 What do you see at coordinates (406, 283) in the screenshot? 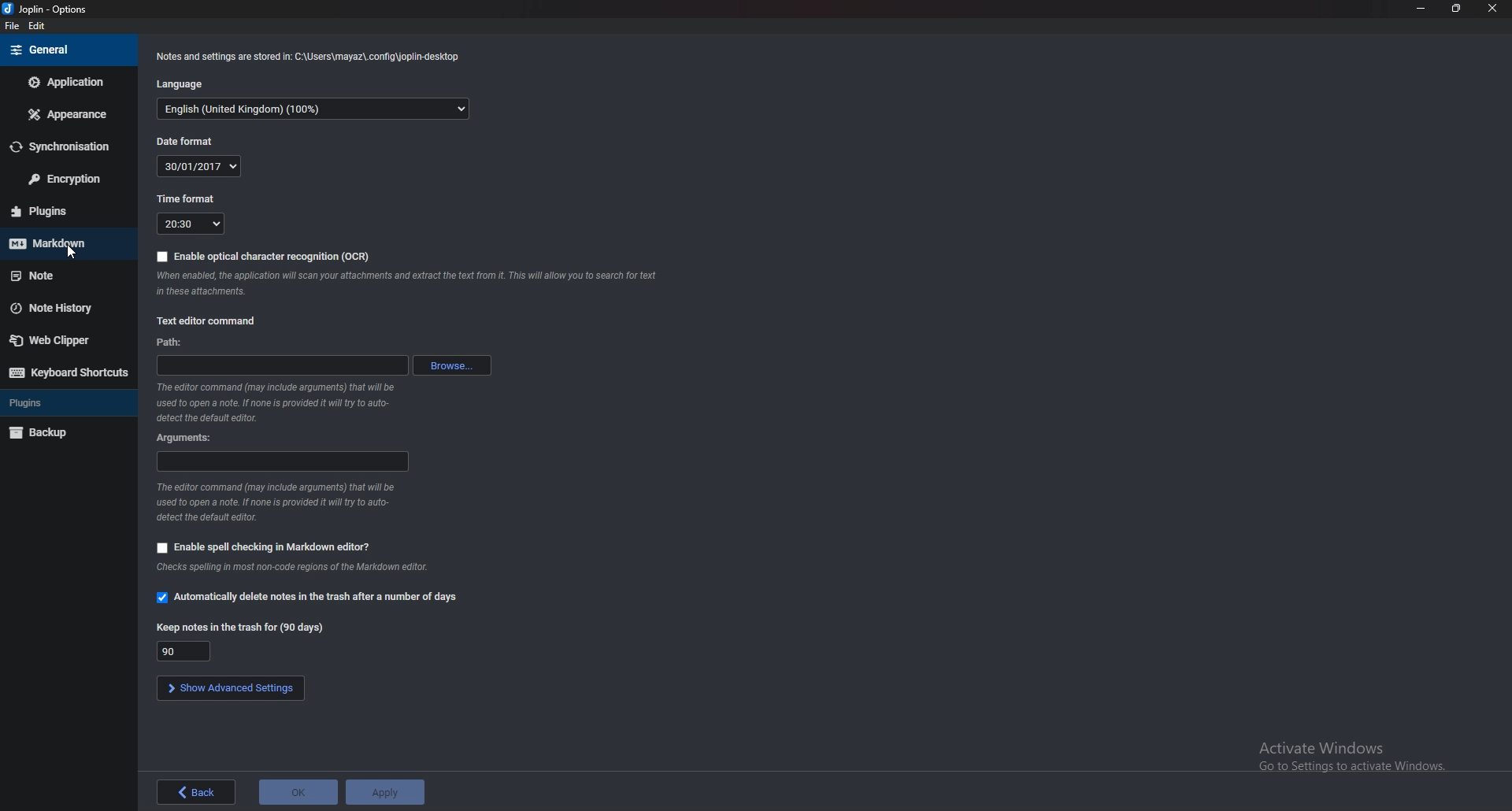
I see `Info on ocr` at bounding box center [406, 283].